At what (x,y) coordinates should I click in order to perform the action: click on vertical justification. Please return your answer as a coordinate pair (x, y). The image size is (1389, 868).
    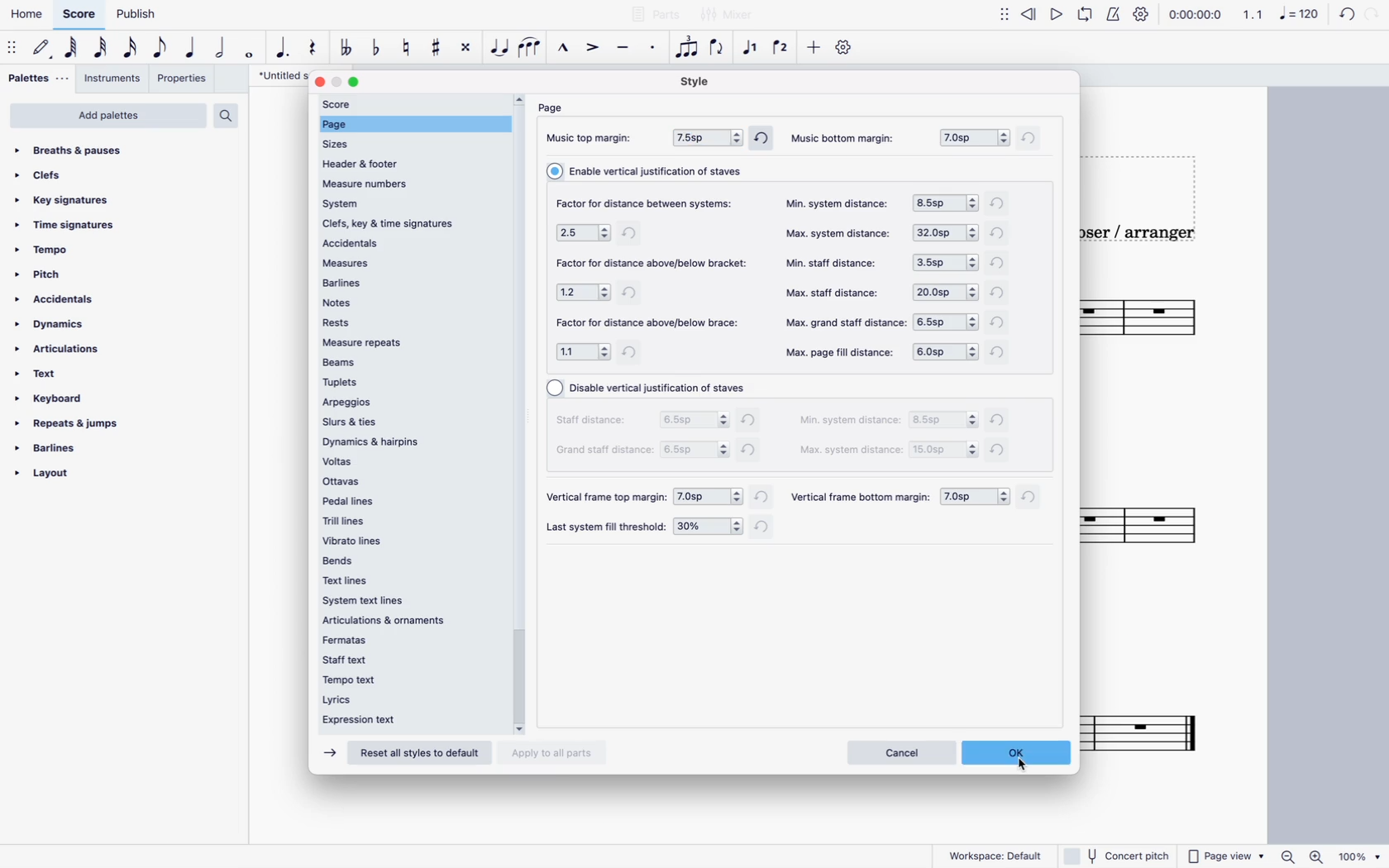
    Looking at the image, I should click on (652, 170).